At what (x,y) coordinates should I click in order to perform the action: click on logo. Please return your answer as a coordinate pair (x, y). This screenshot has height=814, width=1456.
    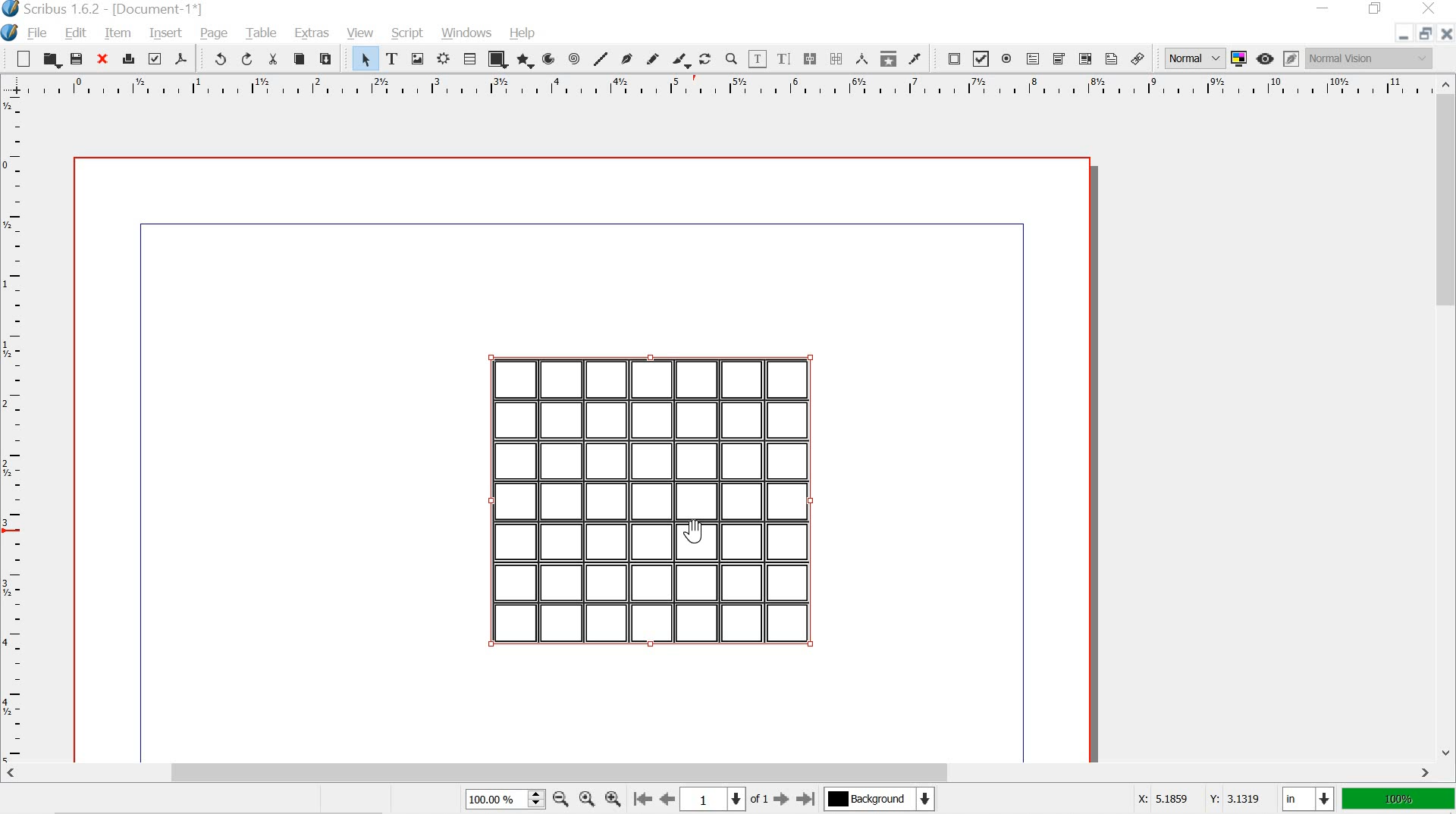
    Looking at the image, I should click on (8, 33).